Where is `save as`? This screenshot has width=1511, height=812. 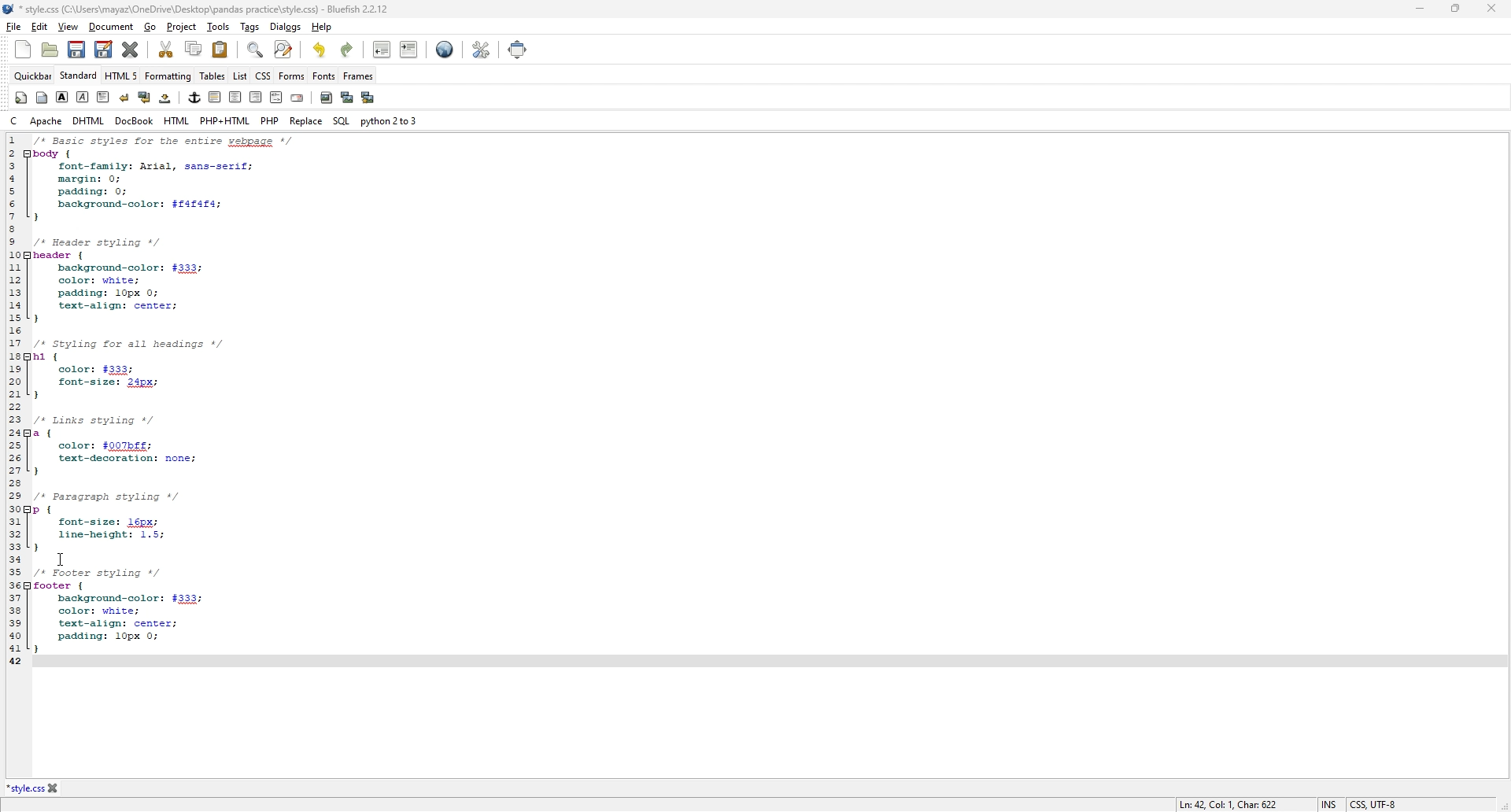
save as is located at coordinates (105, 50).